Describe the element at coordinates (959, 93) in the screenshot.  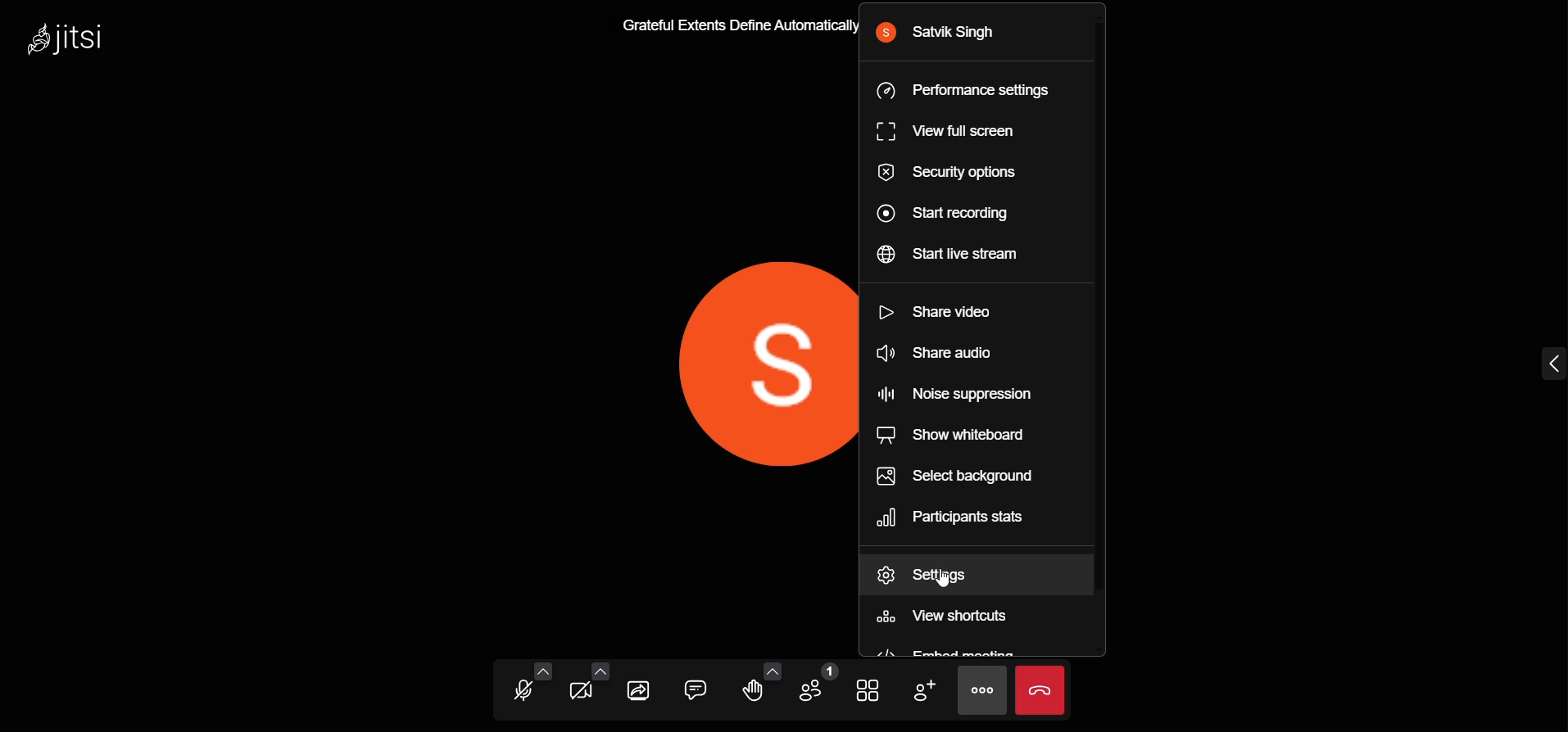
I see `performance setting` at that location.